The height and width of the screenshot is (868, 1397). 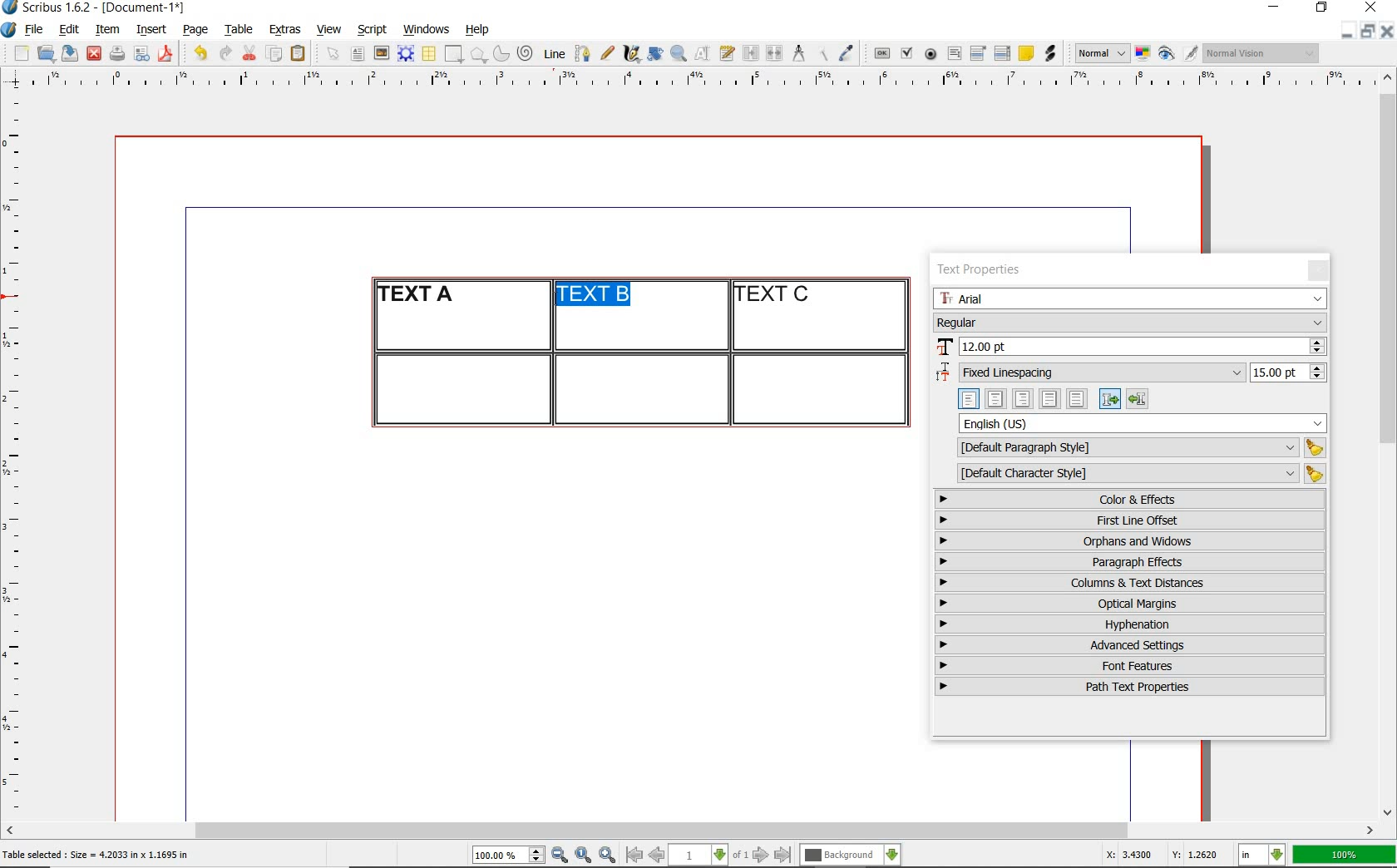 What do you see at coordinates (882, 54) in the screenshot?
I see `pdf push button` at bounding box center [882, 54].